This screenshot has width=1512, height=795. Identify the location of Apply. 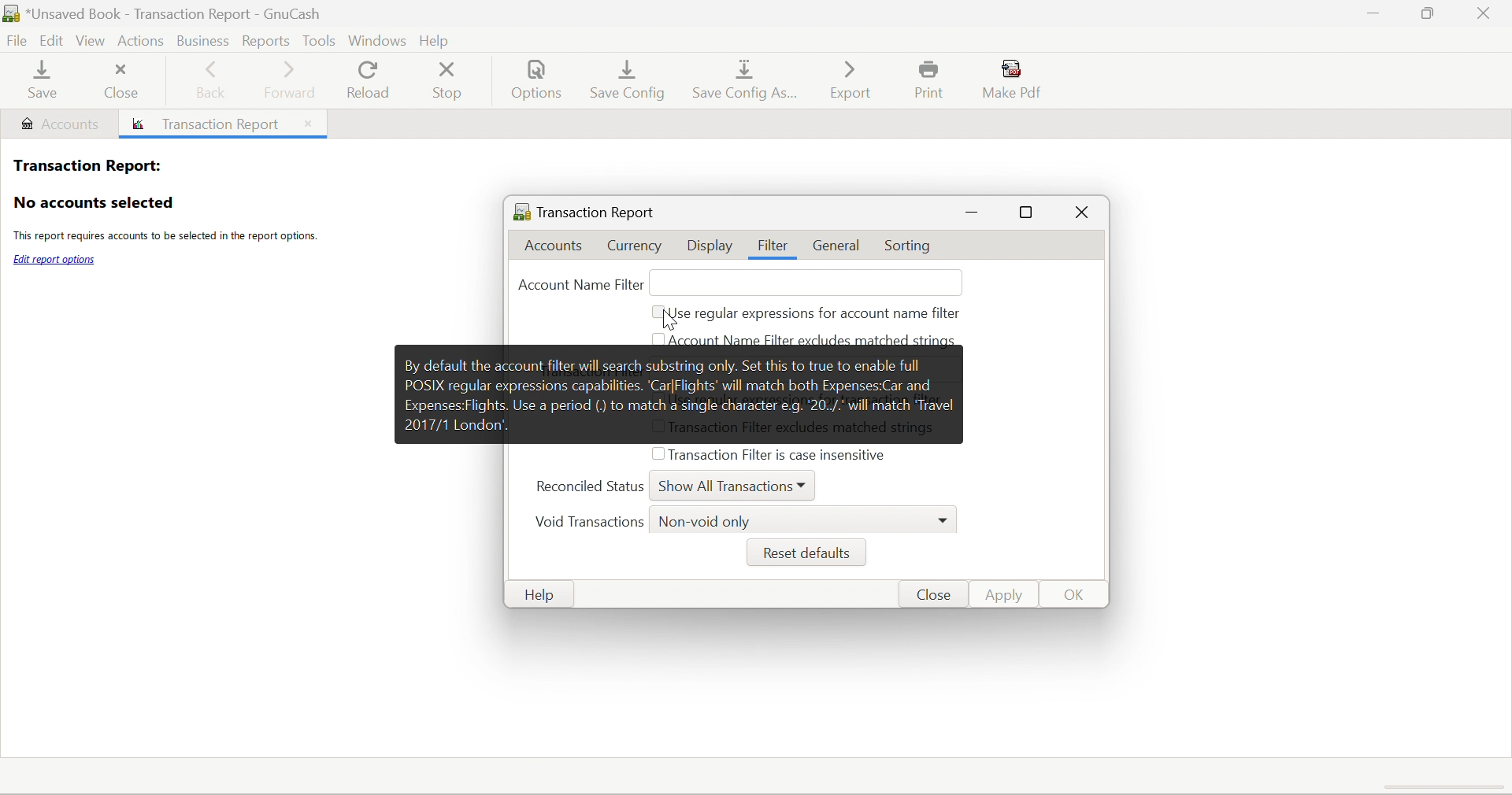
(1007, 594).